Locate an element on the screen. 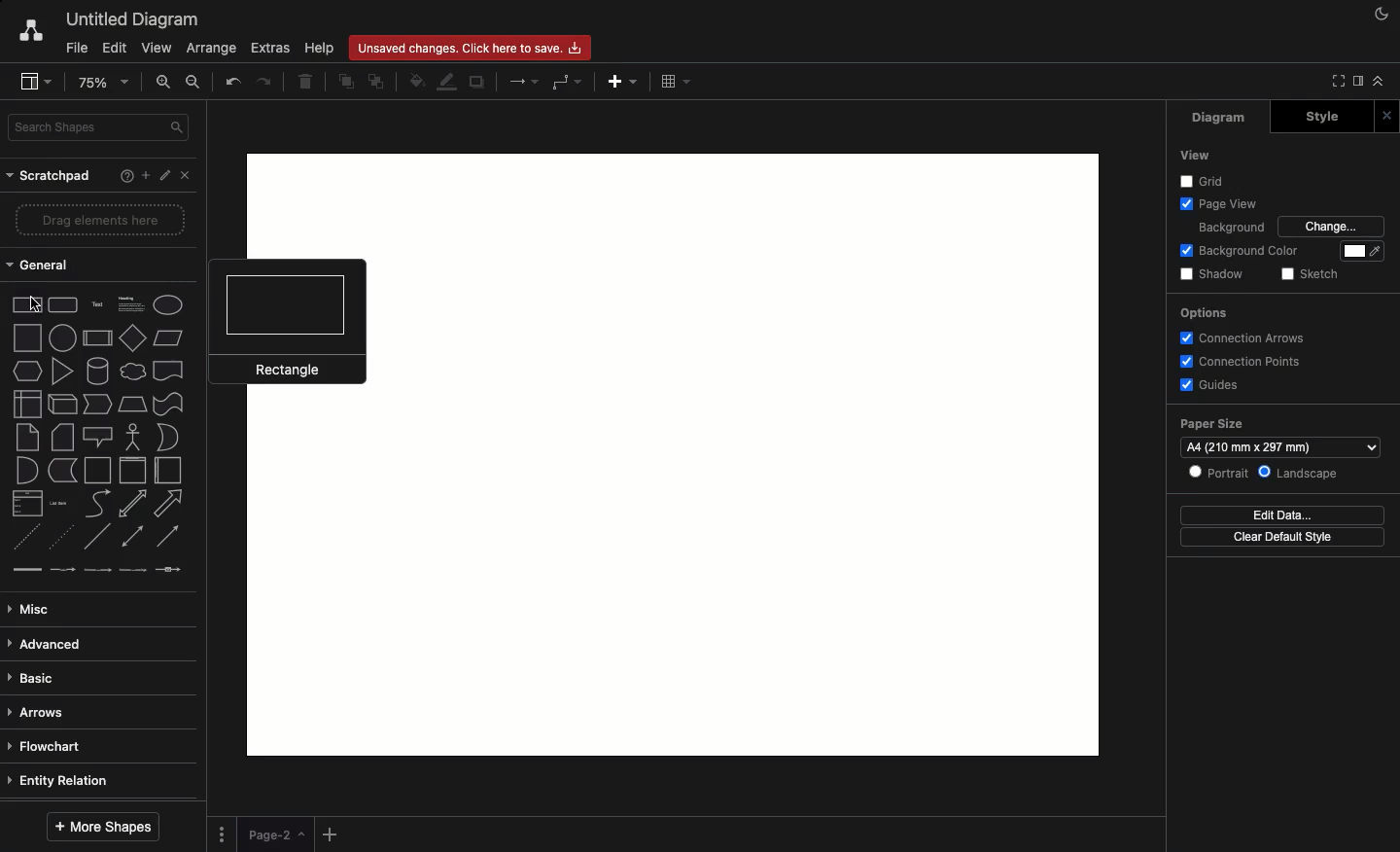  cursor is located at coordinates (36, 304).